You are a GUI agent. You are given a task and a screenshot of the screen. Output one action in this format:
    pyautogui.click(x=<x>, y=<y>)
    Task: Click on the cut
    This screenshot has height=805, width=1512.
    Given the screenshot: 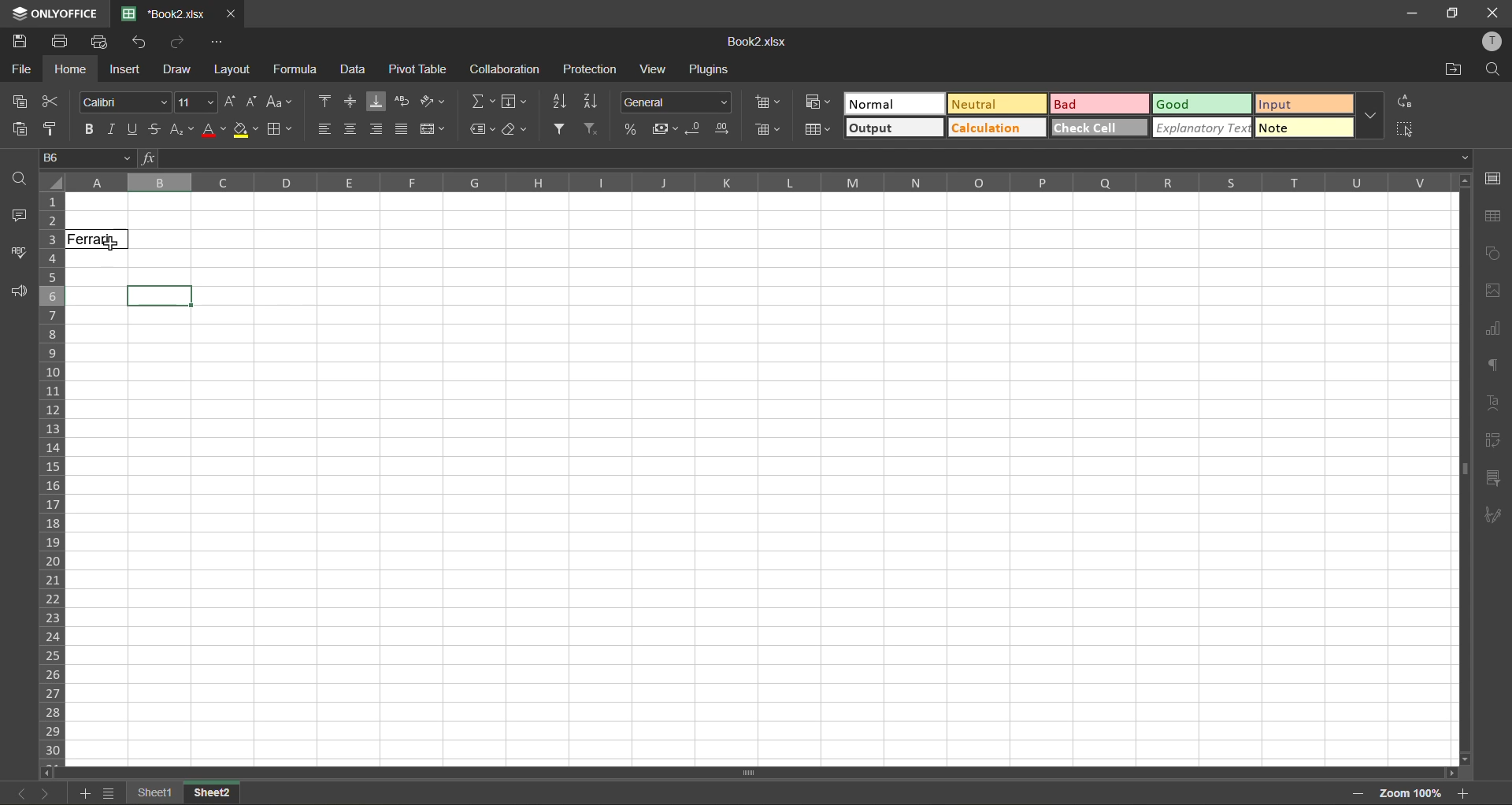 What is the action you would take?
    pyautogui.click(x=50, y=102)
    